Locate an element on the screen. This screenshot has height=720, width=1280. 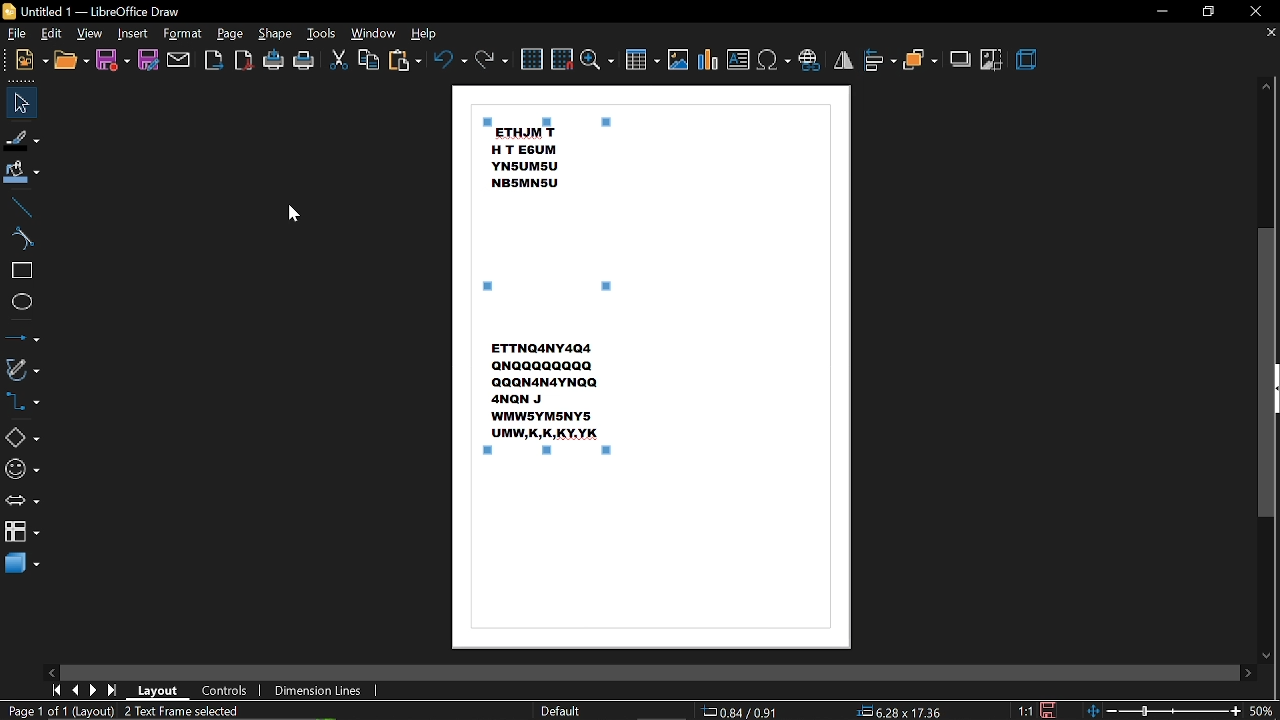
move down is located at coordinates (1265, 655).